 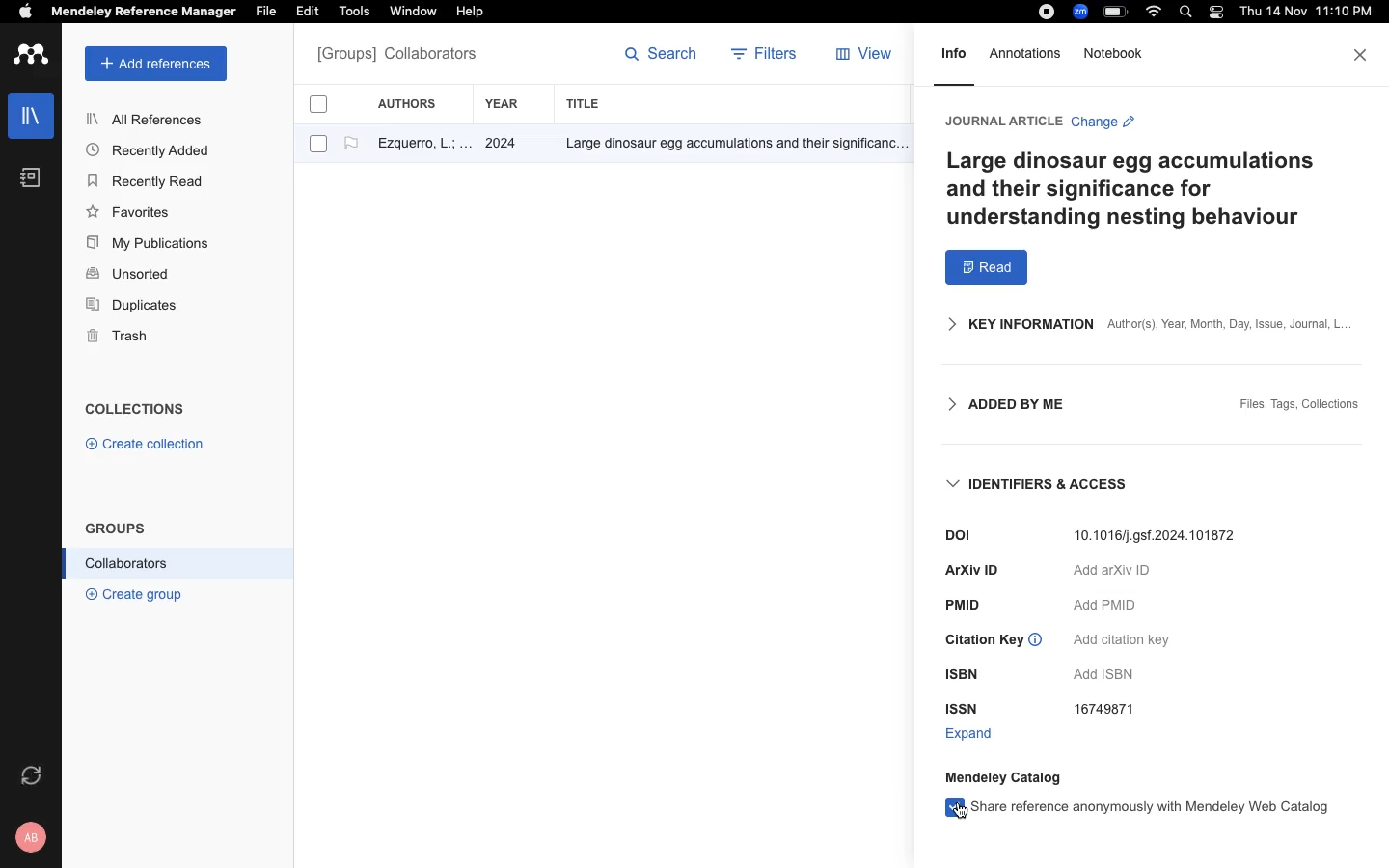 I want to click on 2024, so click(x=504, y=145).